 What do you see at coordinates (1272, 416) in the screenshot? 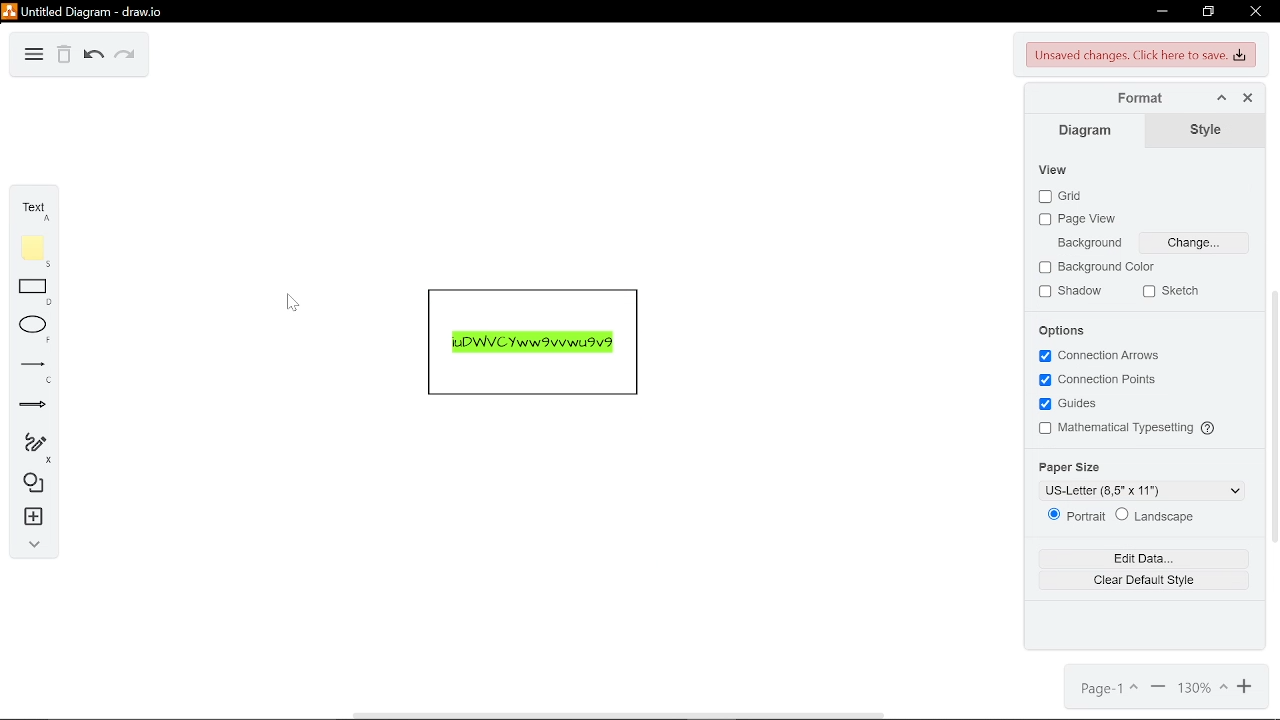
I see `vertical scrollbar` at bounding box center [1272, 416].